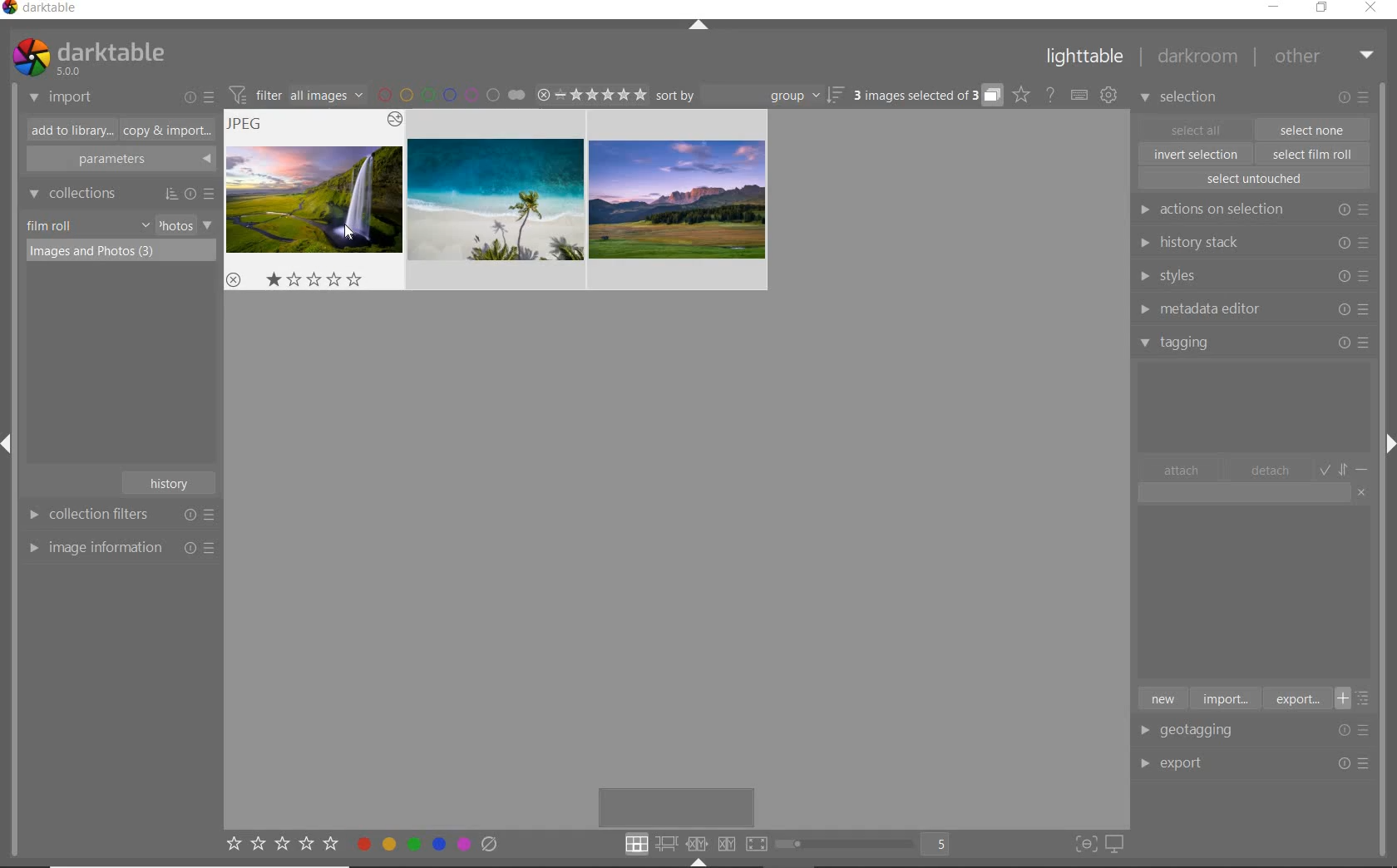 This screenshot has width=1397, height=868. I want to click on attach, so click(1182, 470).